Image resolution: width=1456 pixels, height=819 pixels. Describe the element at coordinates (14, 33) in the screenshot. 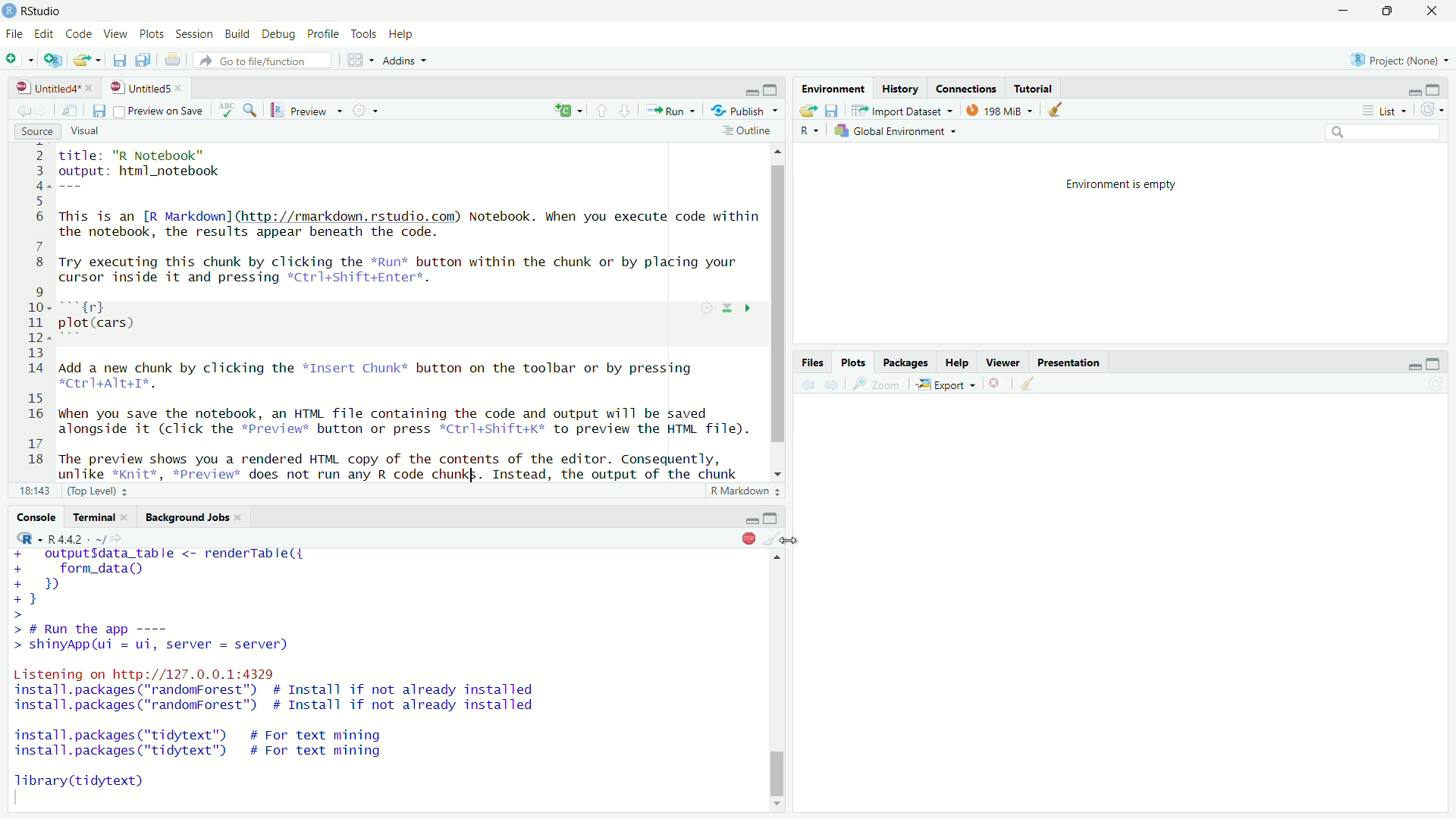

I see `File` at that location.